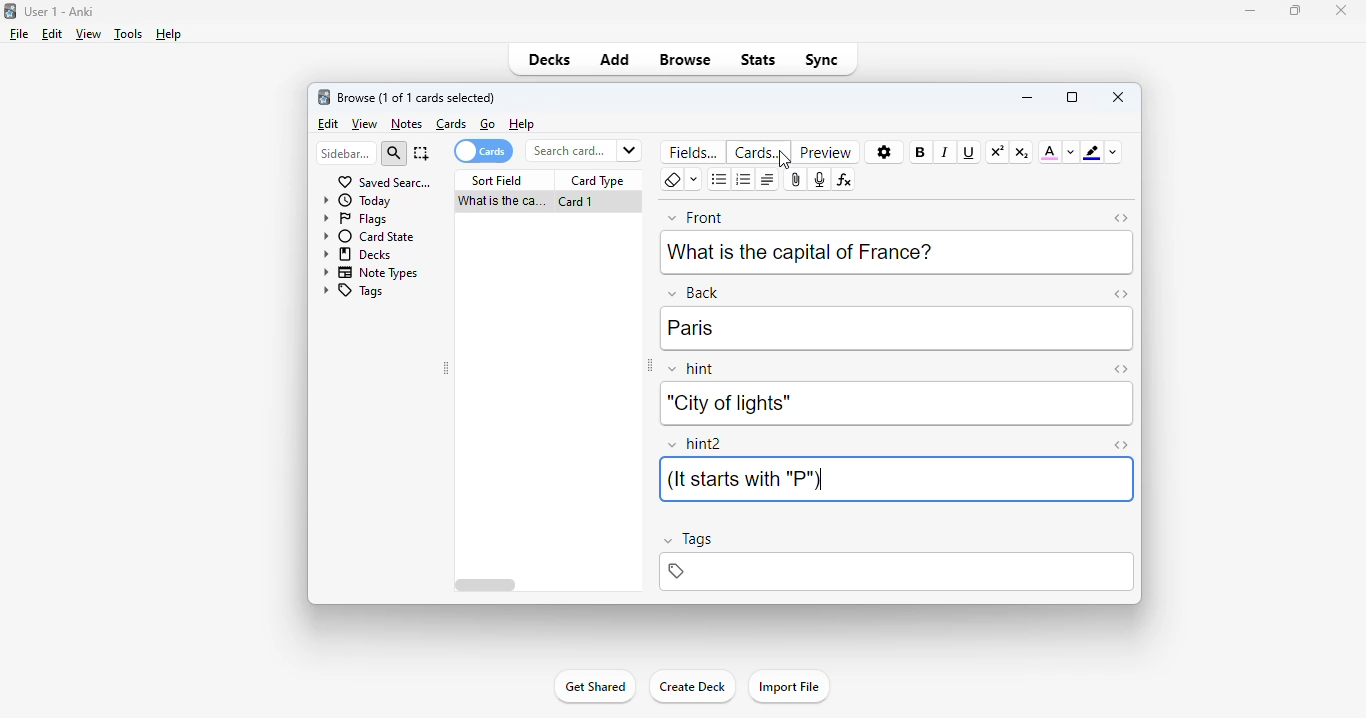 Image resolution: width=1366 pixels, height=718 pixels. Describe the element at coordinates (687, 541) in the screenshot. I see `tags` at that location.